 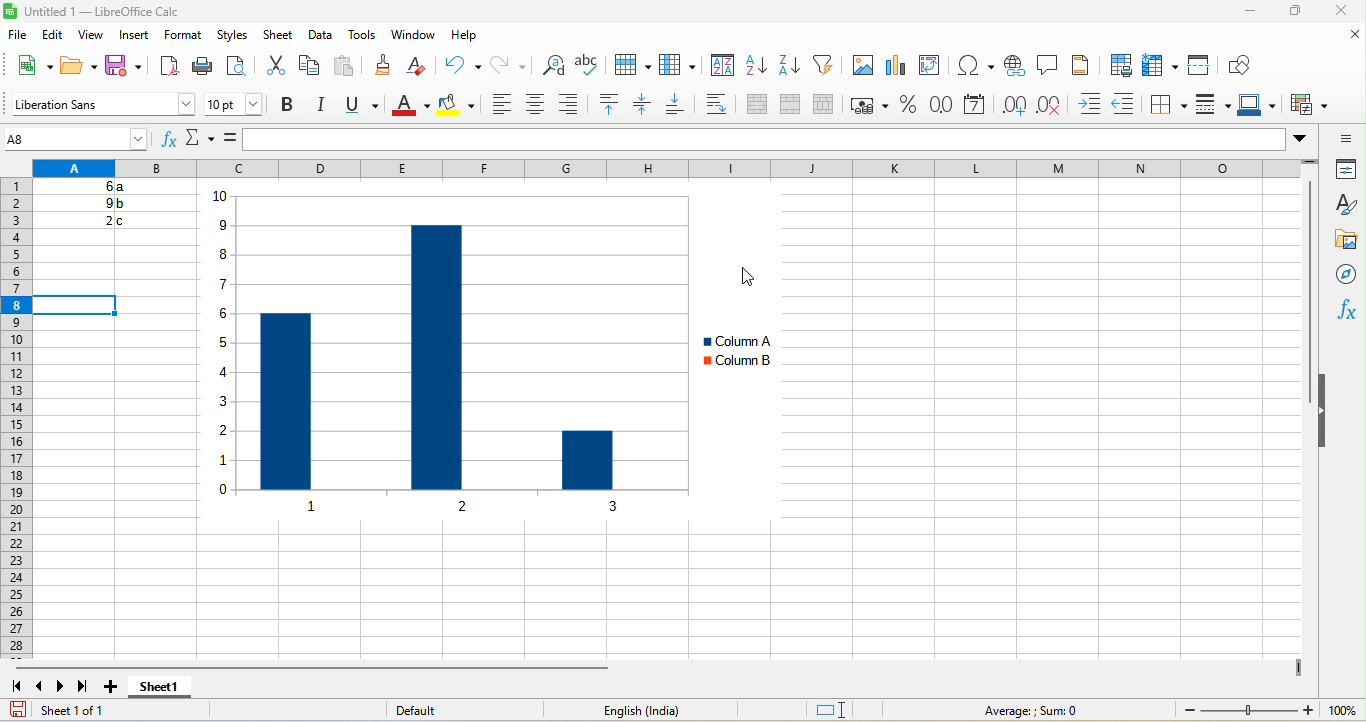 What do you see at coordinates (126, 221) in the screenshot?
I see `c` at bounding box center [126, 221].